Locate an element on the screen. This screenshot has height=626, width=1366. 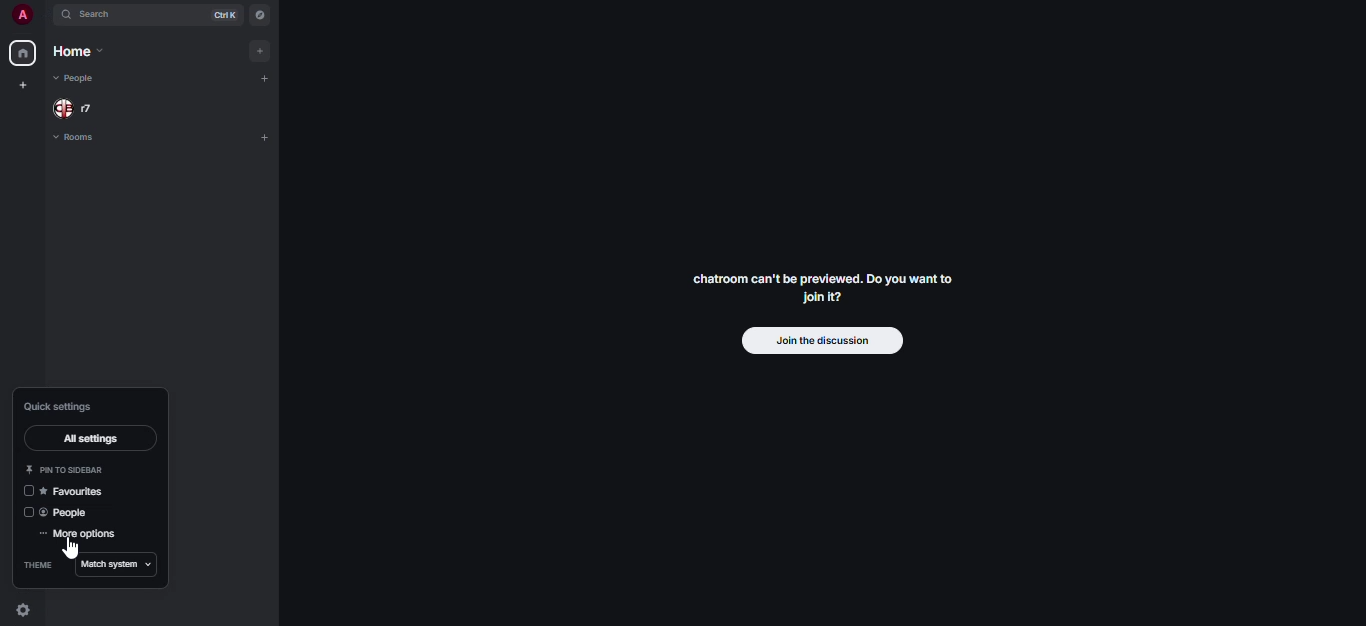
expand is located at coordinates (46, 13).